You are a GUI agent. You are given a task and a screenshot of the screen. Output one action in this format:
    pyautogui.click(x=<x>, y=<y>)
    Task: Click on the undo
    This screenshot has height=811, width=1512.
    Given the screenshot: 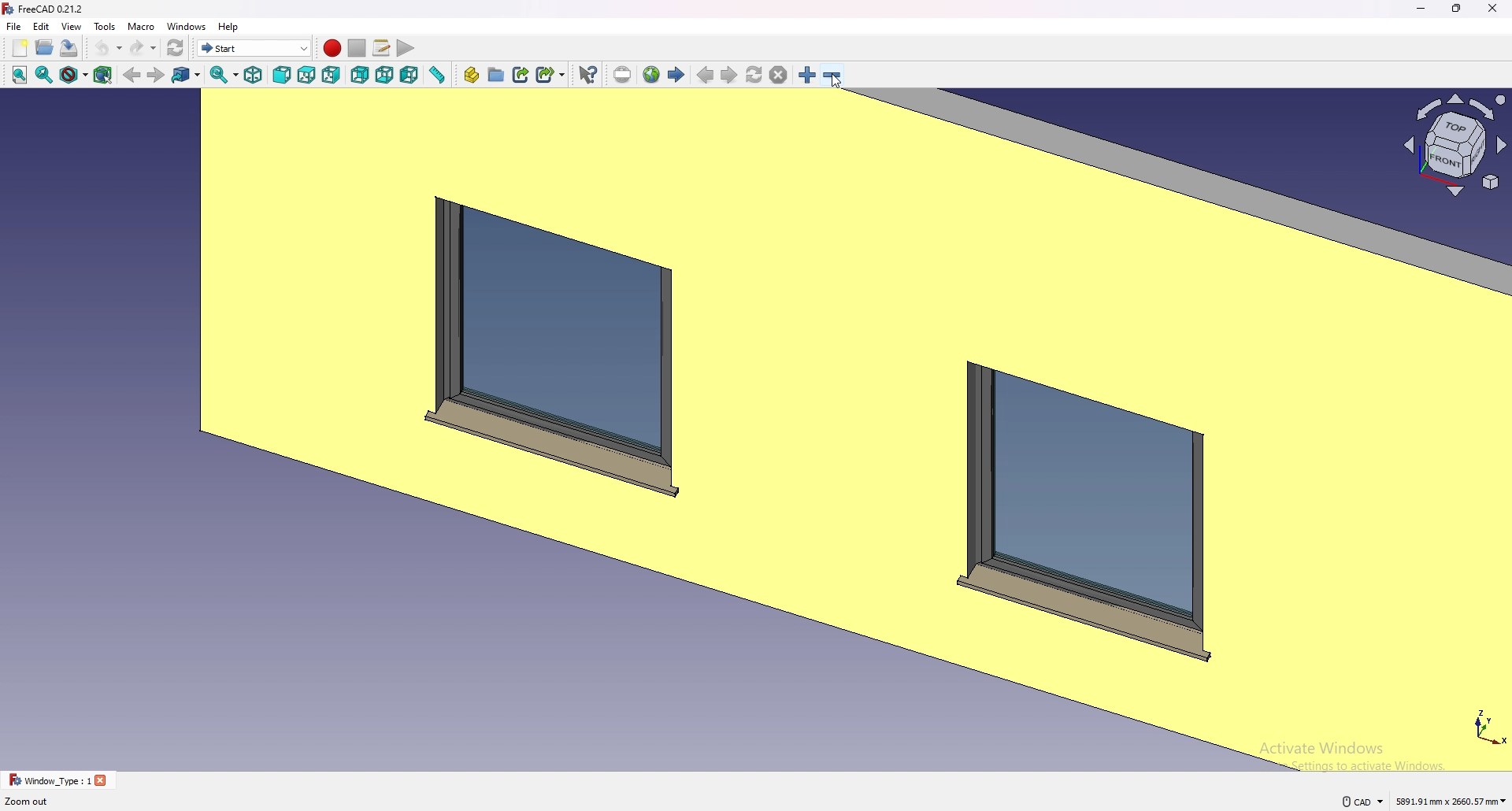 What is the action you would take?
    pyautogui.click(x=106, y=48)
    